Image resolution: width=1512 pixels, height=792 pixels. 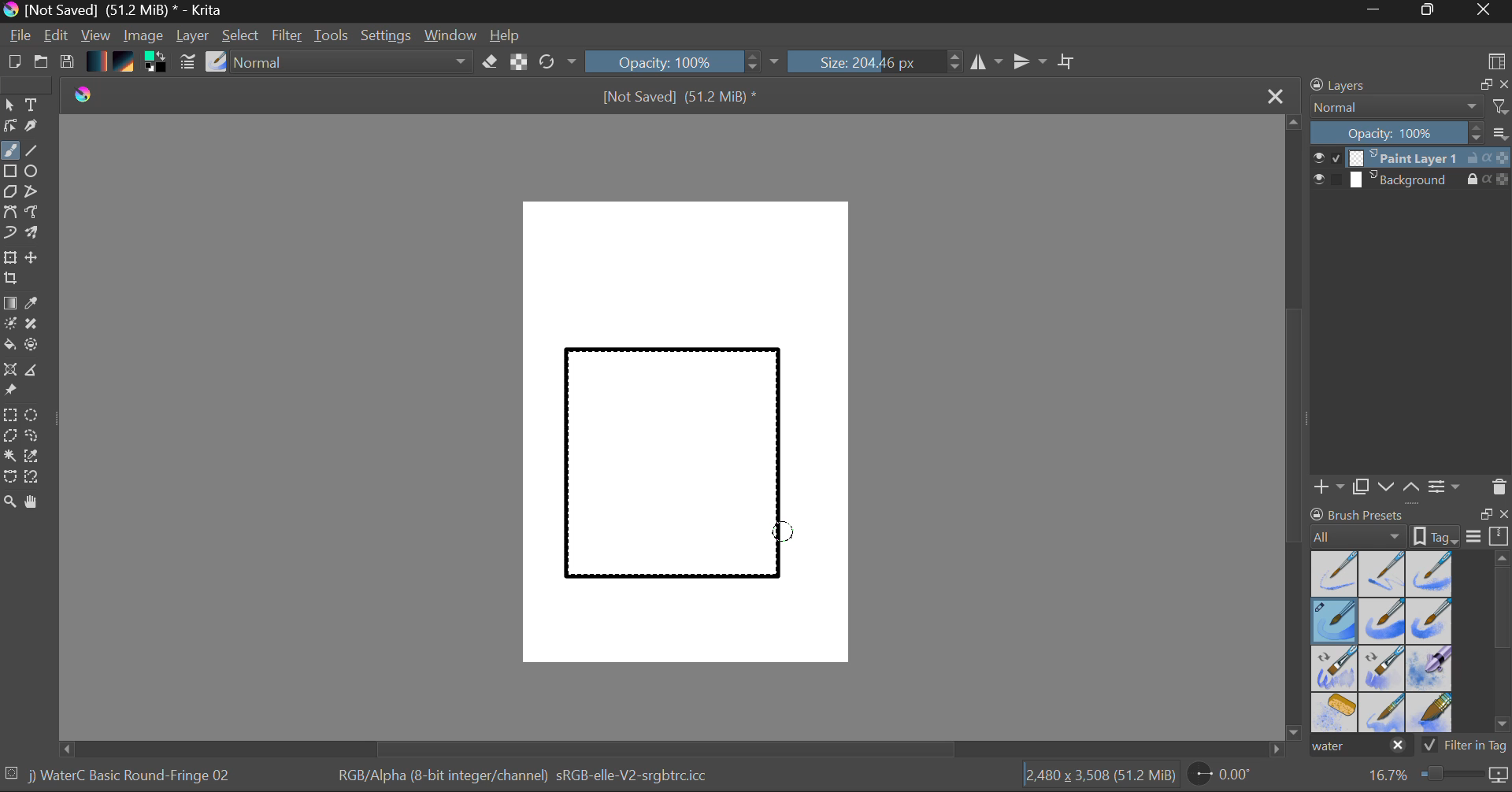 I want to click on Refresh, so click(x=558, y=61).